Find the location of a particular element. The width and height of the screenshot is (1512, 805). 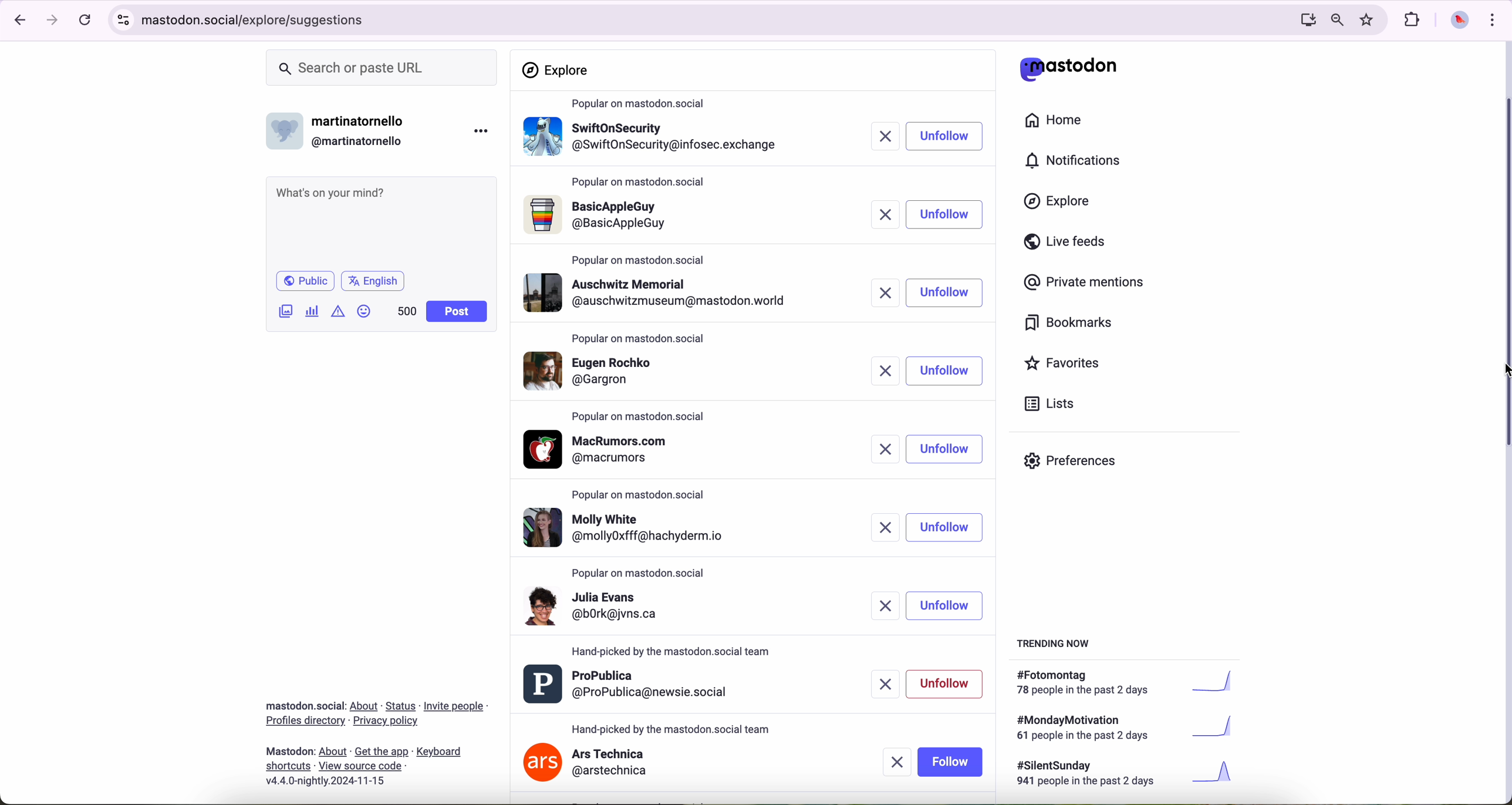

navigate foward is located at coordinates (53, 21).